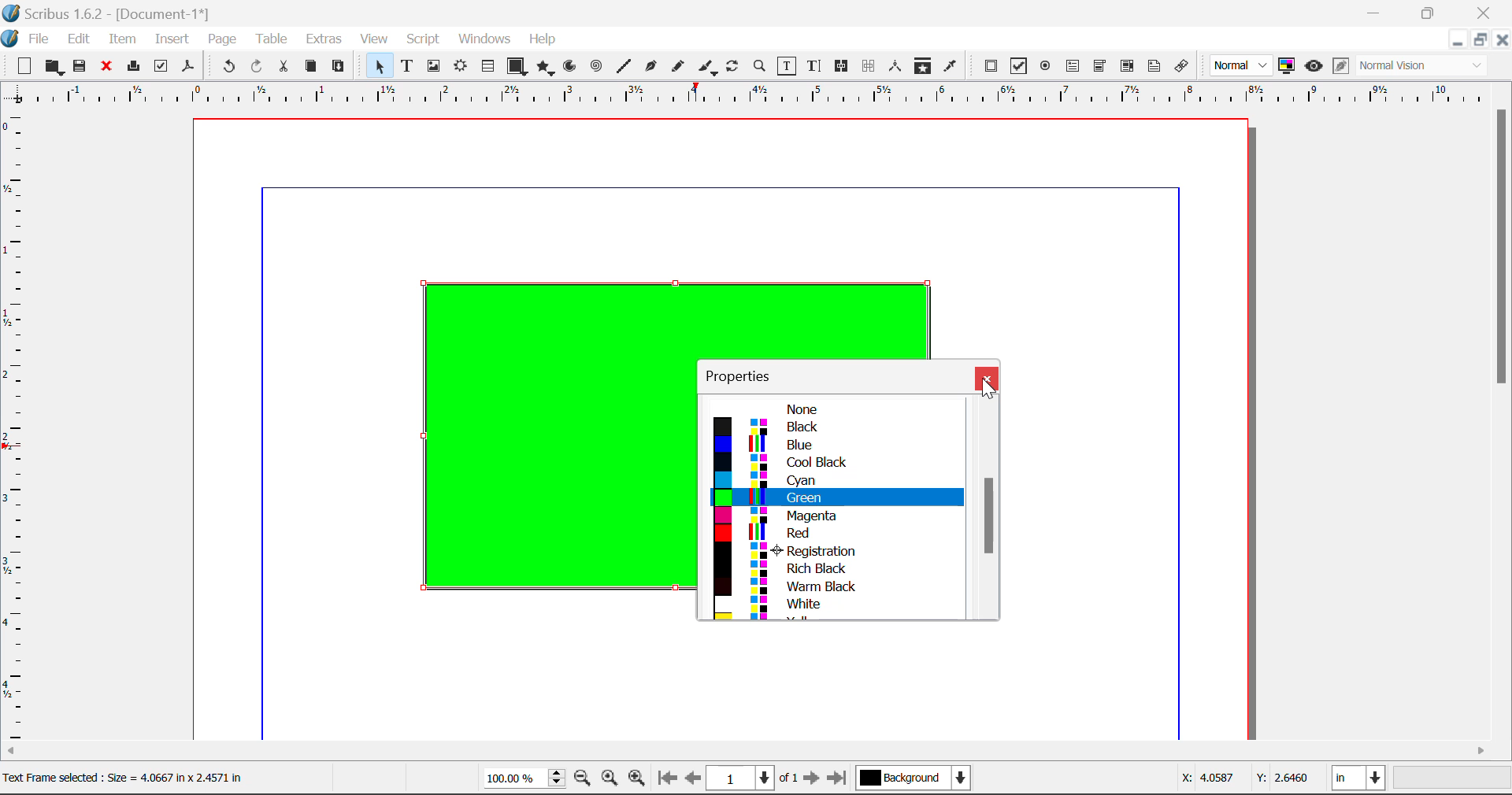 This screenshot has width=1512, height=795. What do you see at coordinates (517, 65) in the screenshot?
I see `Shapes` at bounding box center [517, 65].